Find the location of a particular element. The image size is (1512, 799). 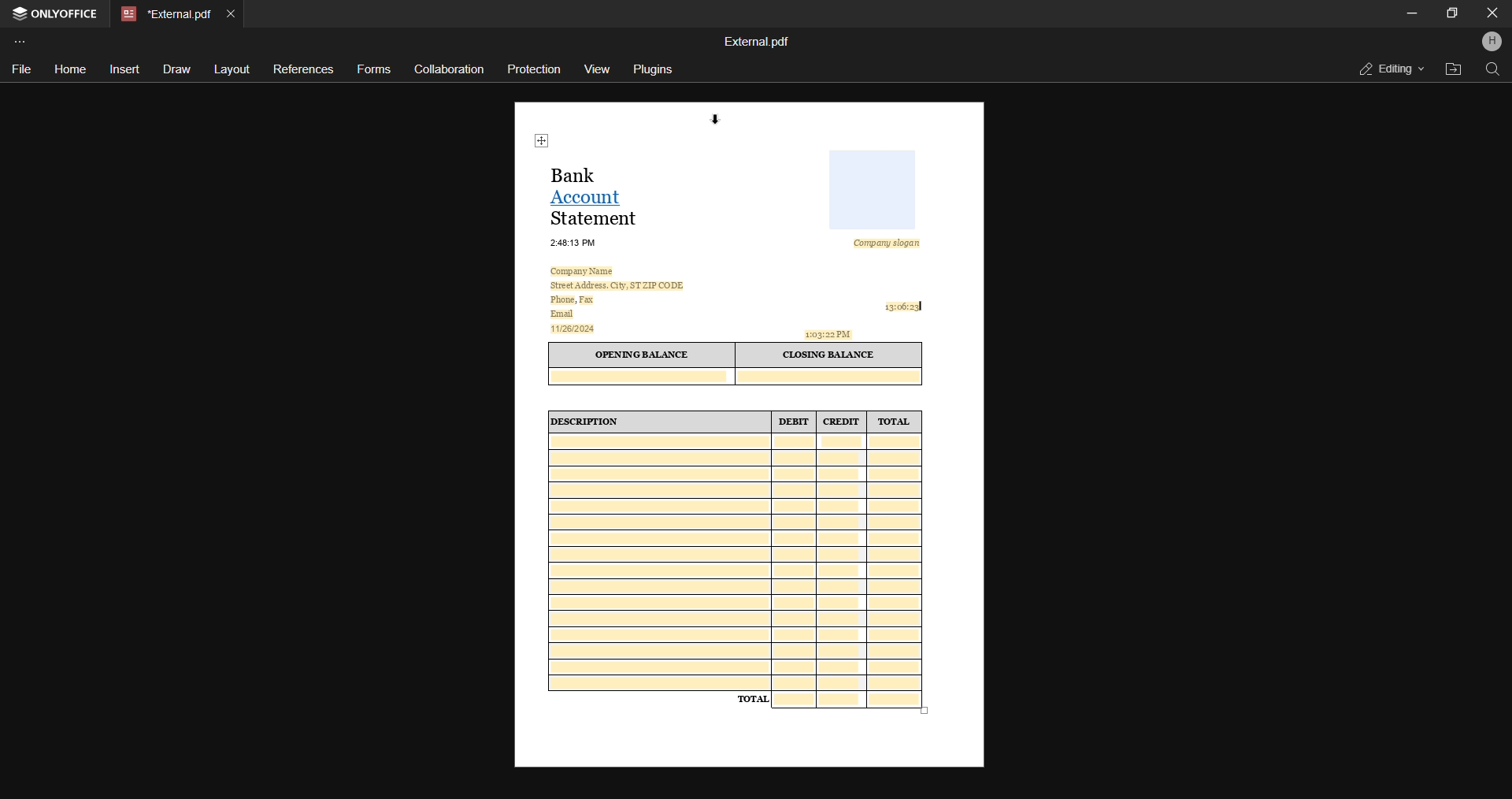

Text cursor is located at coordinates (923, 307).